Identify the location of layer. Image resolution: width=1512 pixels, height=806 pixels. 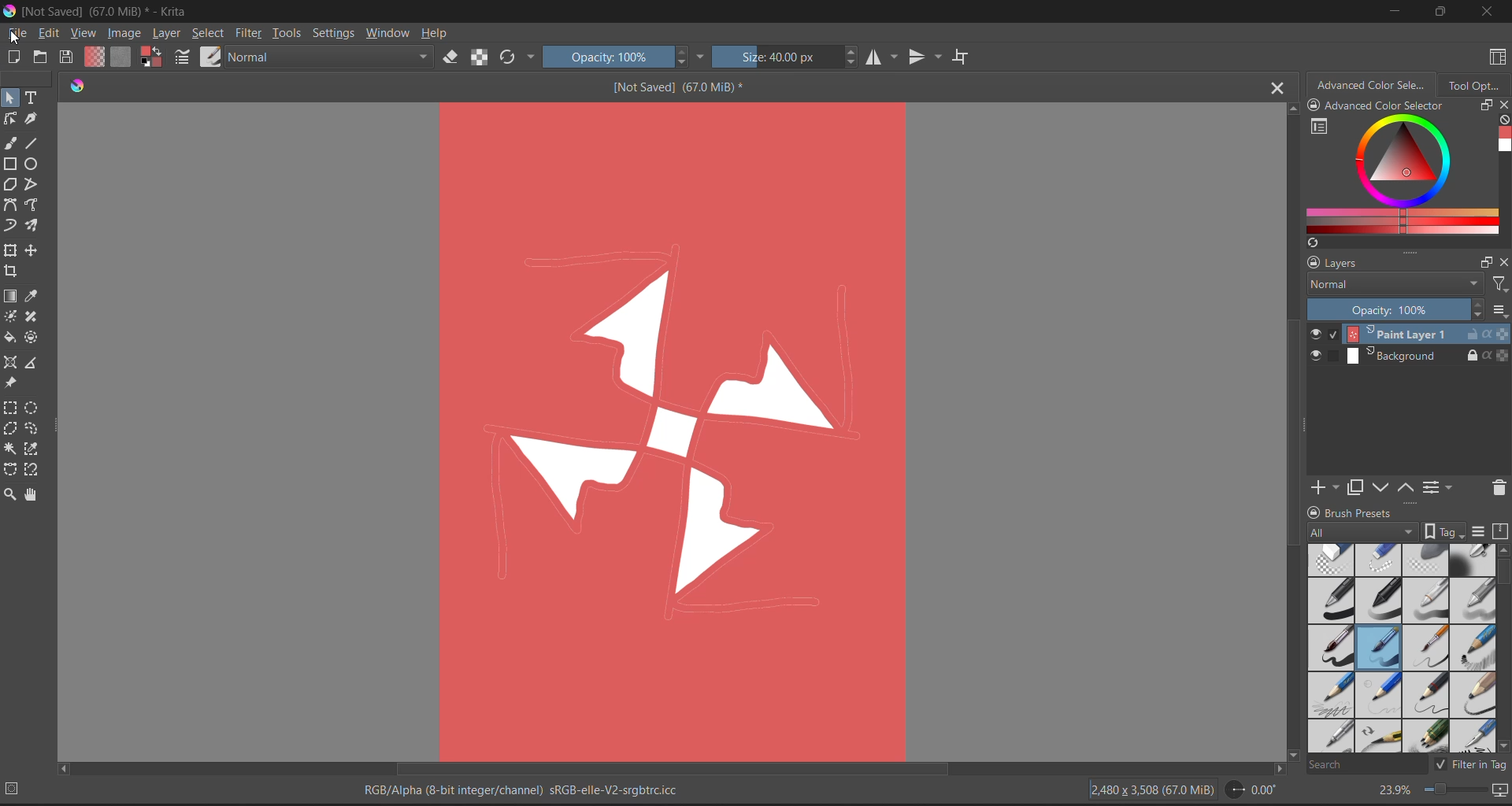
(1407, 355).